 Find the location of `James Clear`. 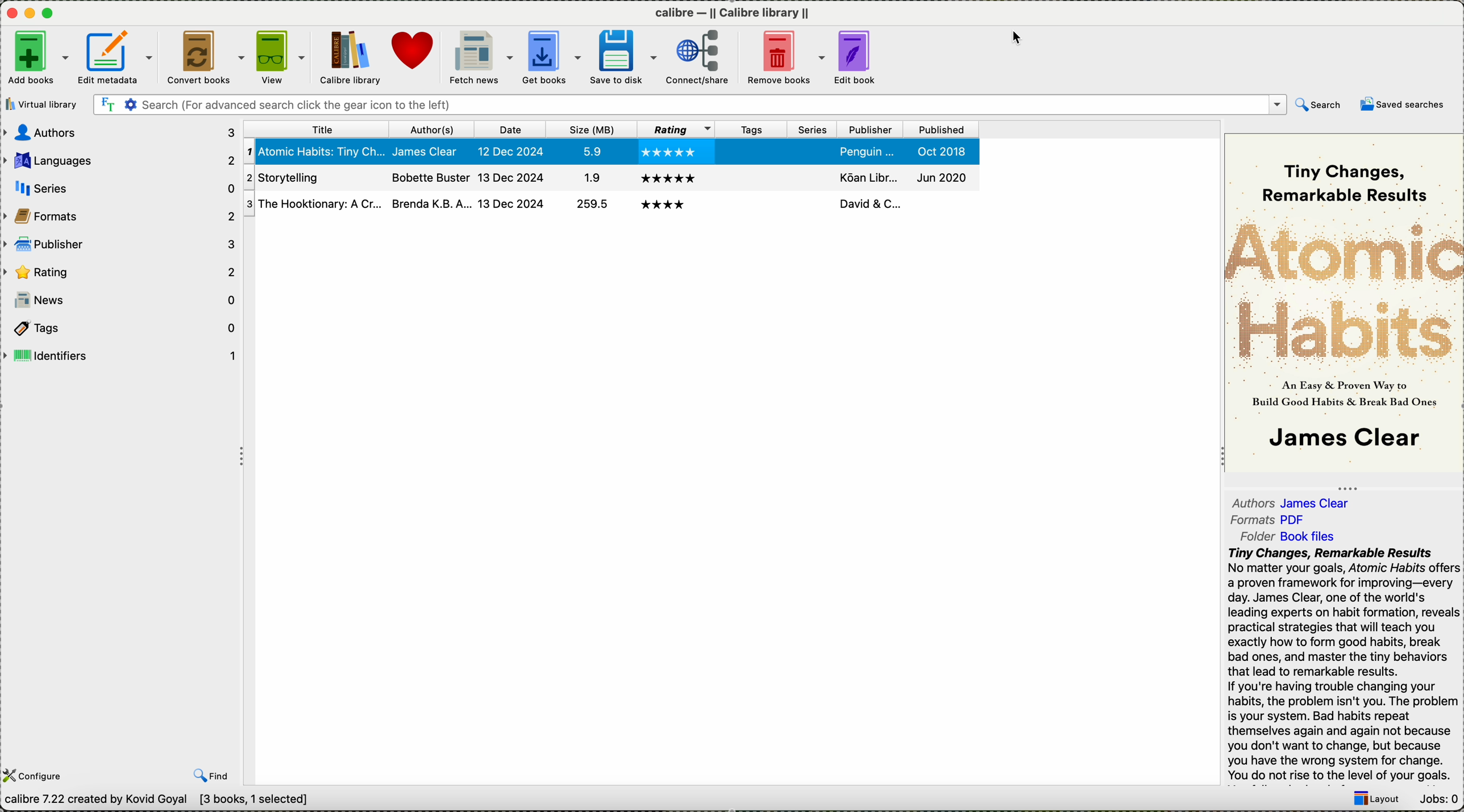

James Clear is located at coordinates (430, 151).